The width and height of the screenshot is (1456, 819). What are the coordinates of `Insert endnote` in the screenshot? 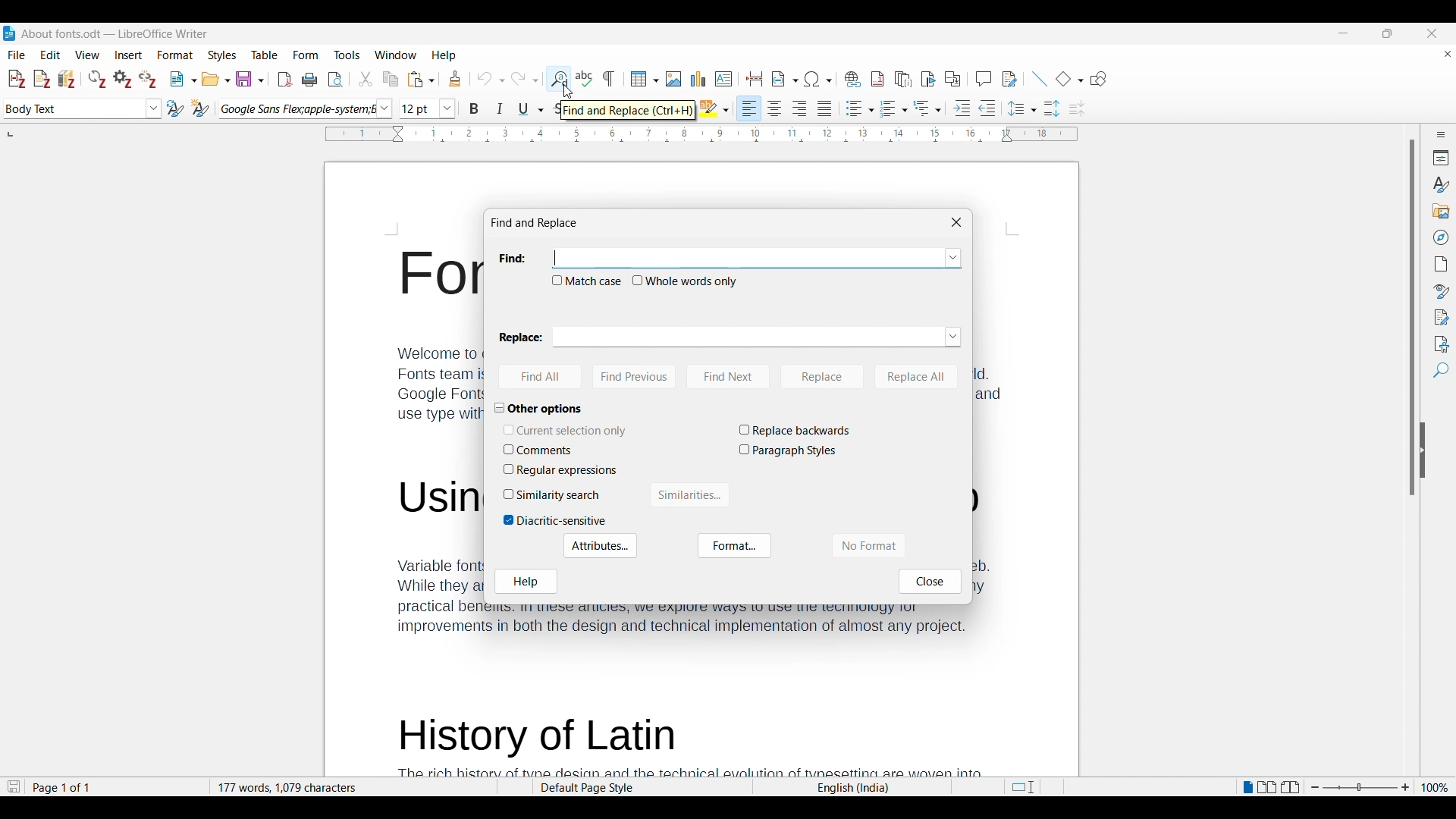 It's located at (904, 79).